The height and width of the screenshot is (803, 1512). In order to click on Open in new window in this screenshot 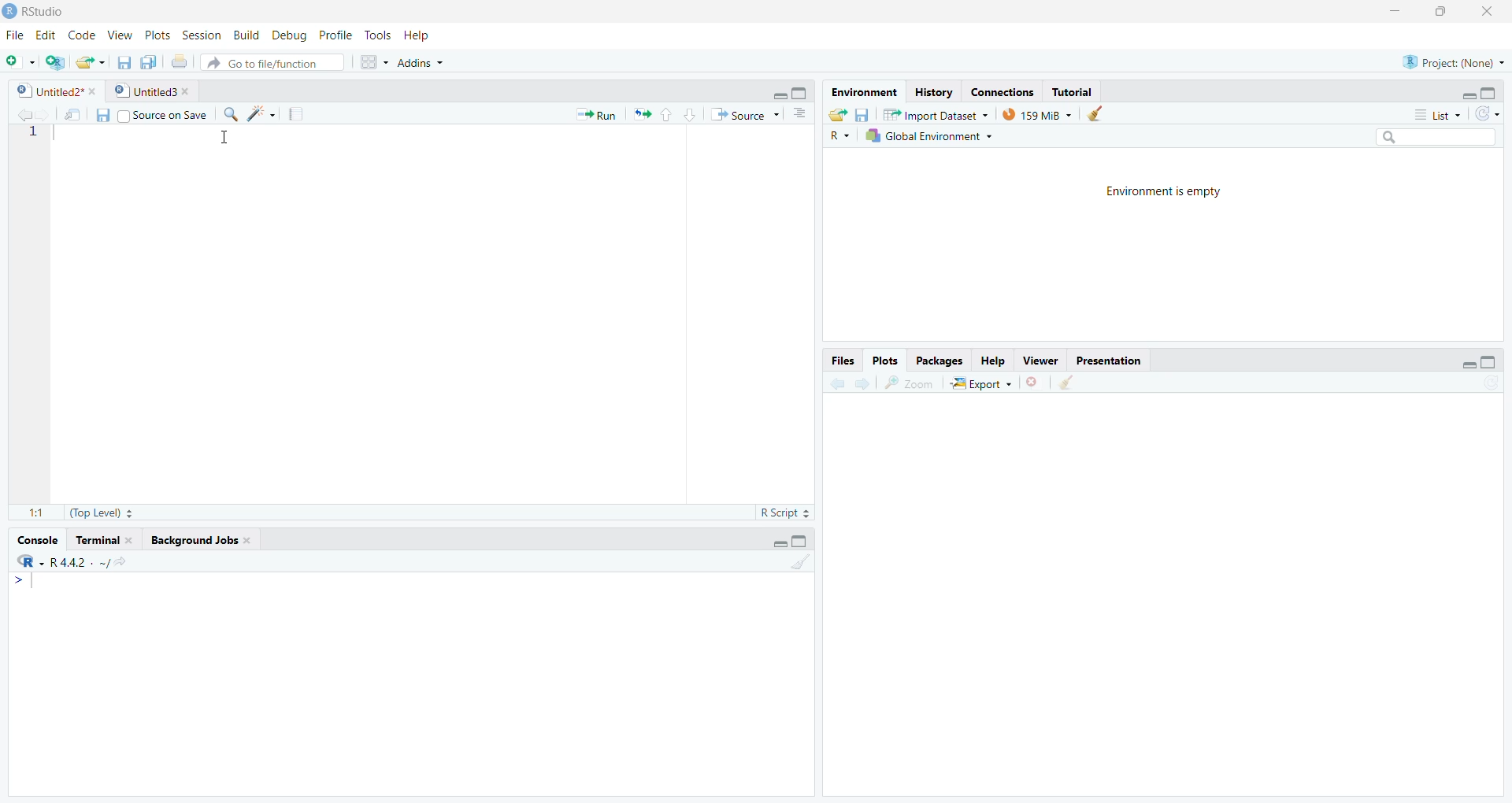, I will do `click(74, 114)`.